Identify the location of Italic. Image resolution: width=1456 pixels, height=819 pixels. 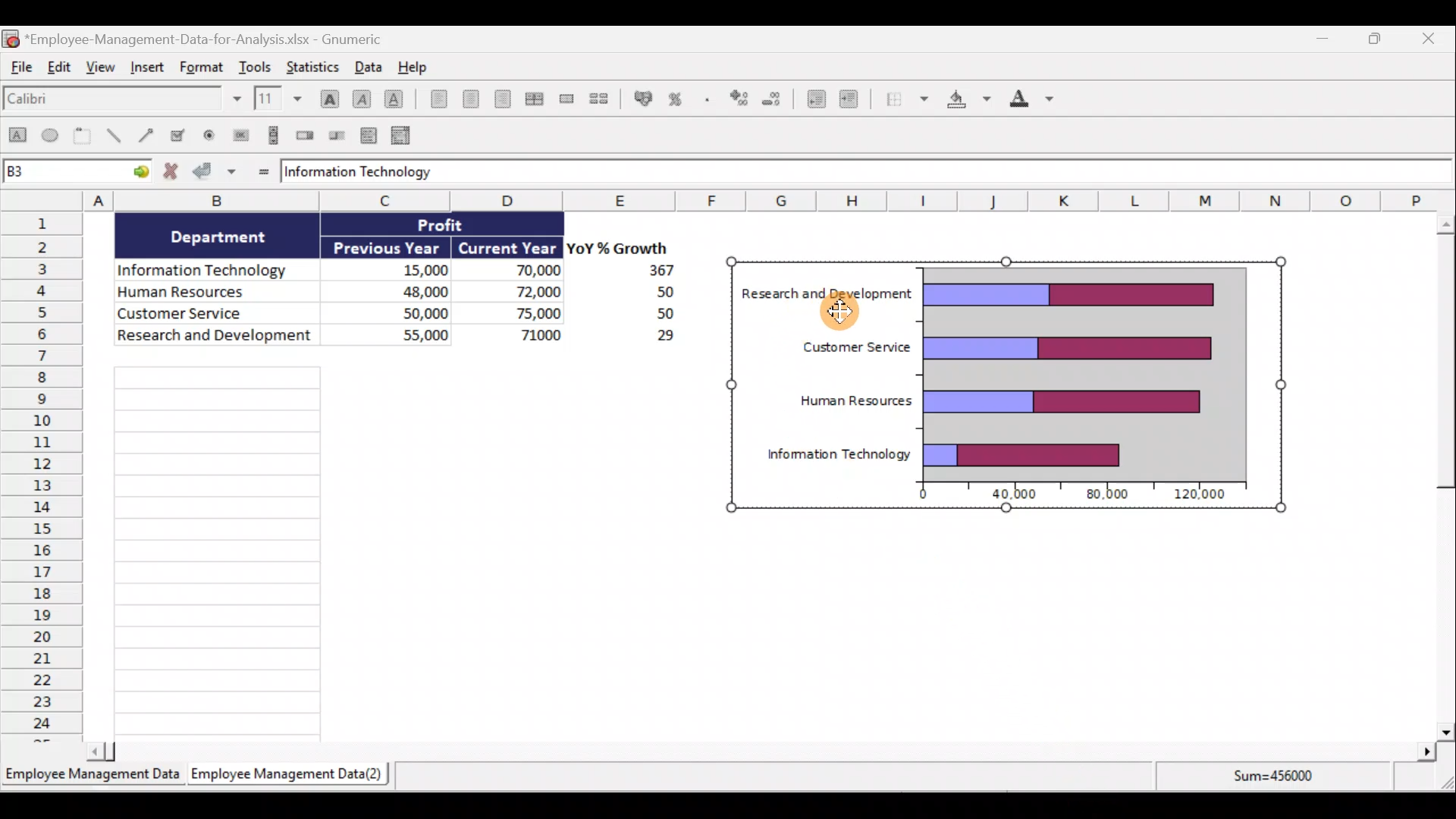
(361, 99).